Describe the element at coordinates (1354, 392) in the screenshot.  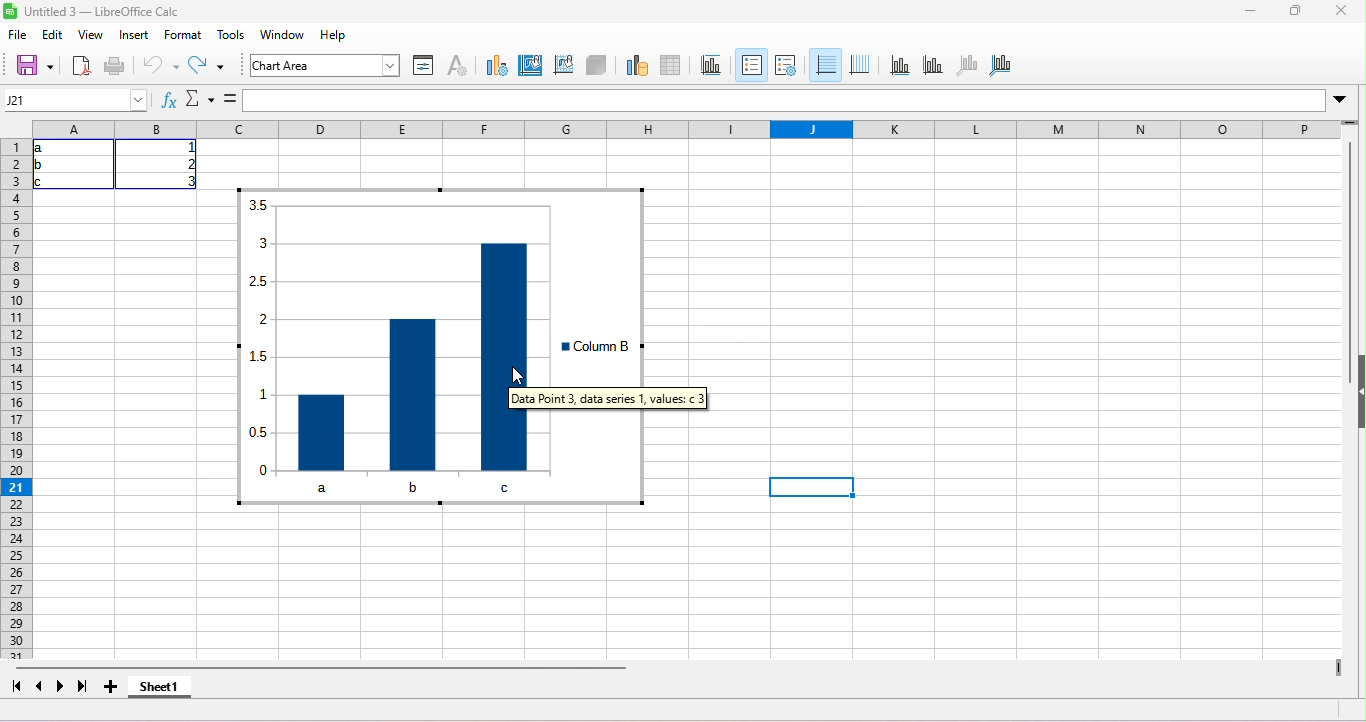
I see `height` at that location.